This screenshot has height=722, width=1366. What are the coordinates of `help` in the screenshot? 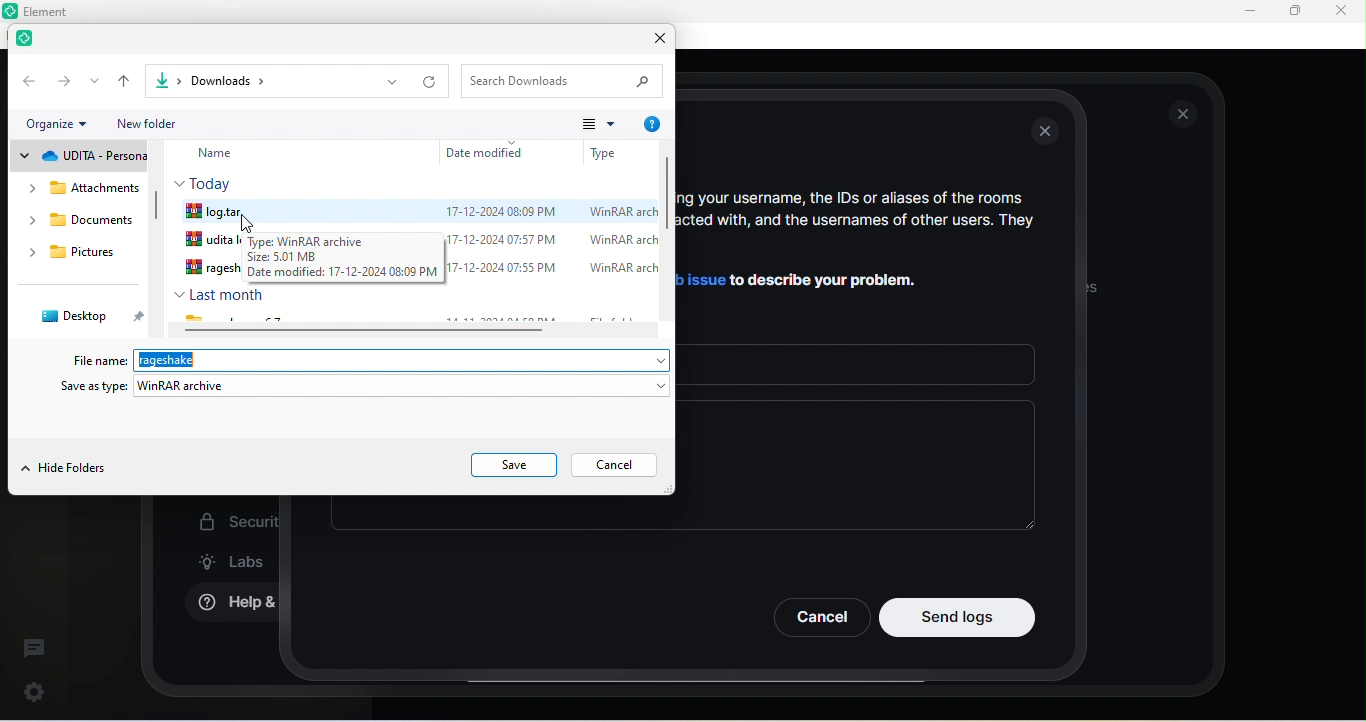 It's located at (651, 125).